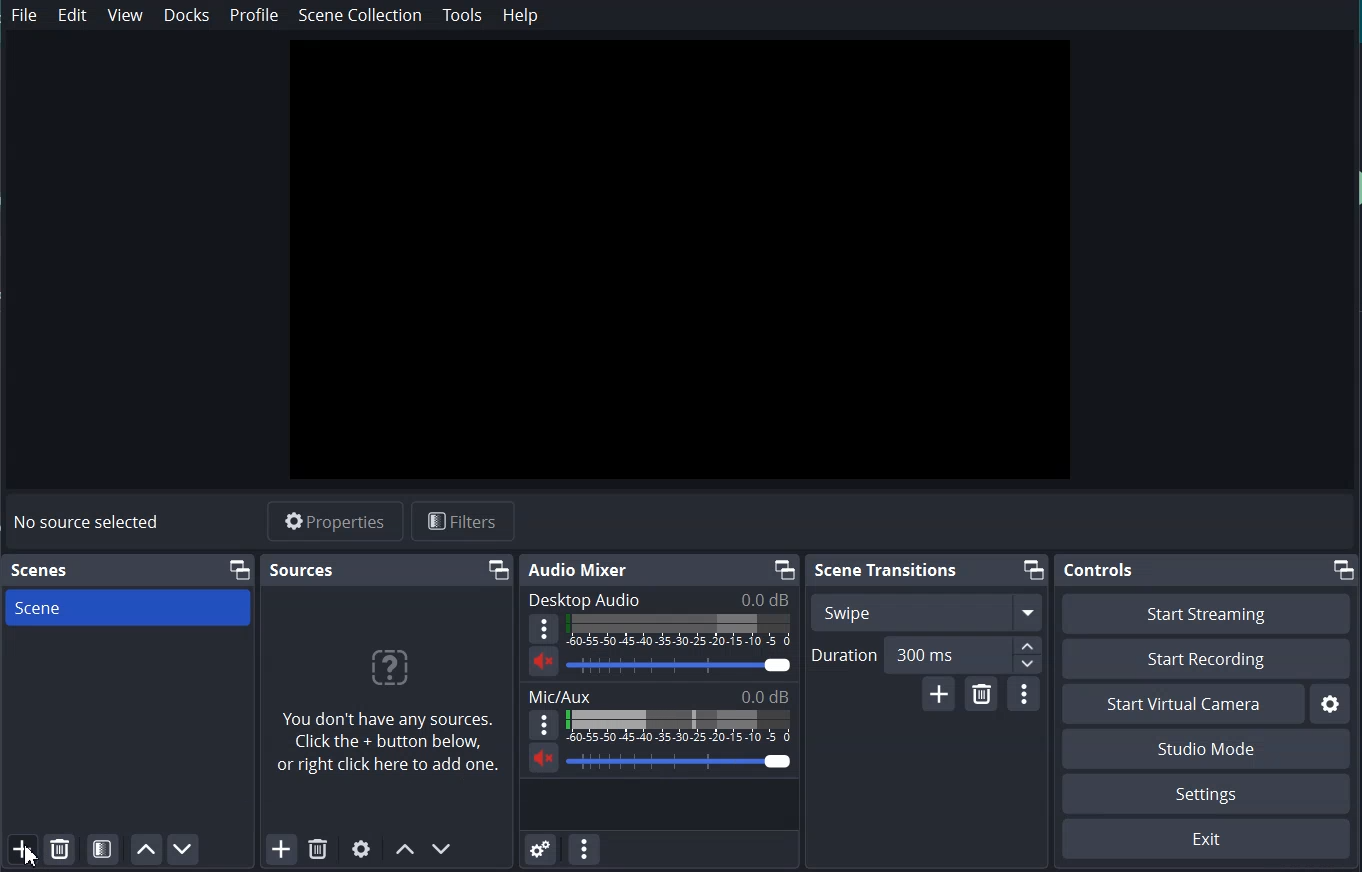 The image size is (1362, 872). What do you see at coordinates (659, 599) in the screenshot?
I see `Text` at bounding box center [659, 599].